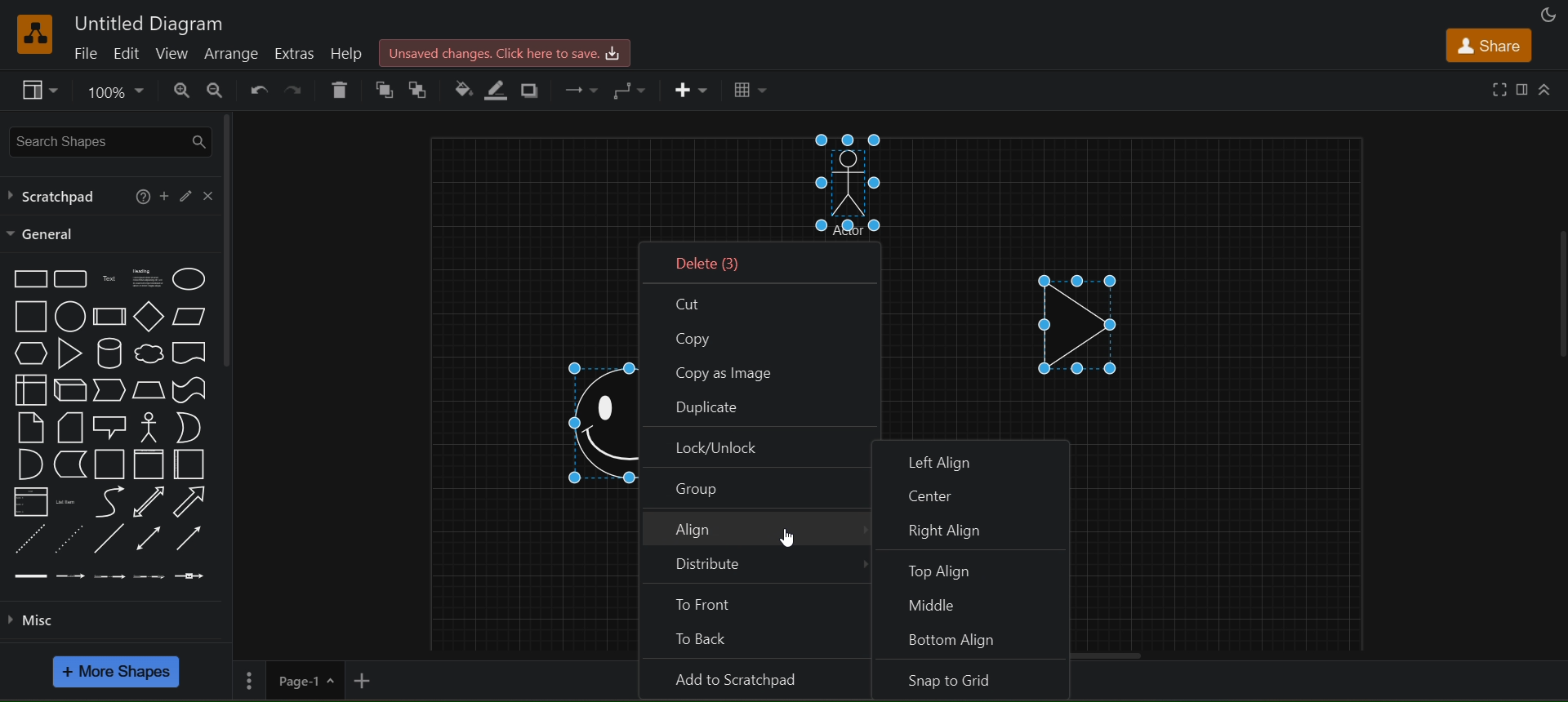 This screenshot has height=702, width=1568. I want to click on callout, so click(109, 426).